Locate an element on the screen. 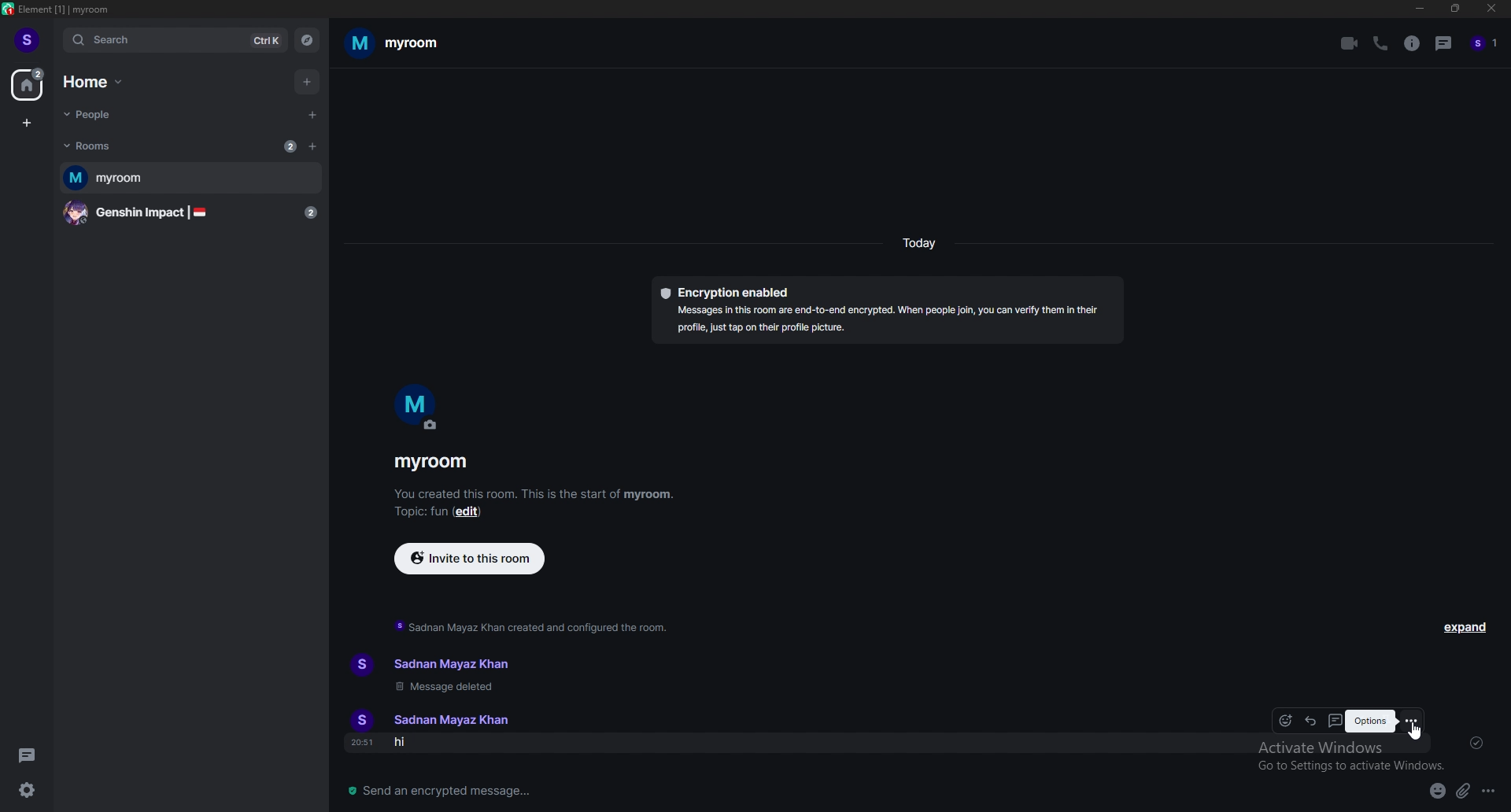 This screenshot has width=1511, height=812. room is located at coordinates (190, 179).